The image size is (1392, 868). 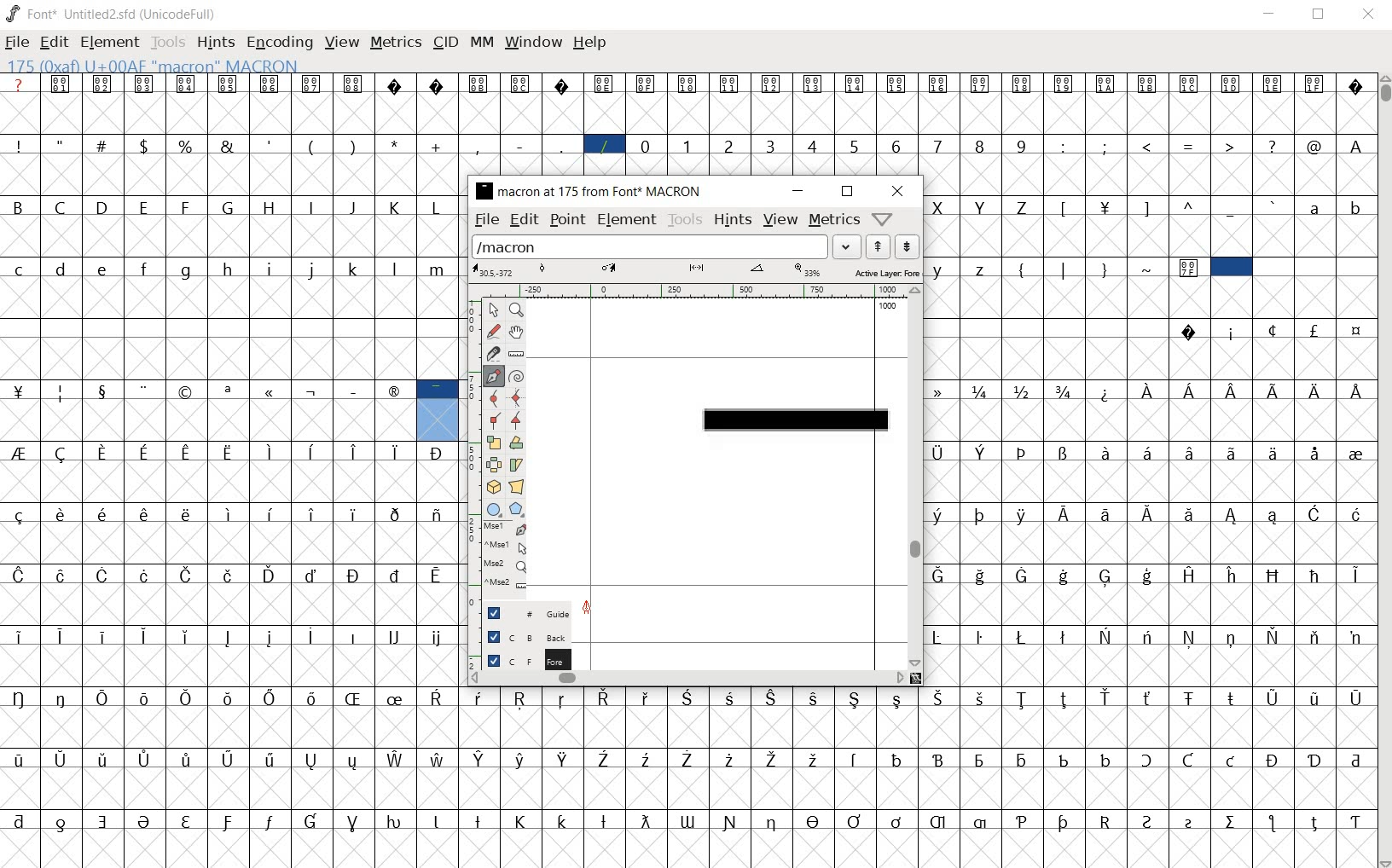 I want to click on Symbol, so click(x=438, y=512).